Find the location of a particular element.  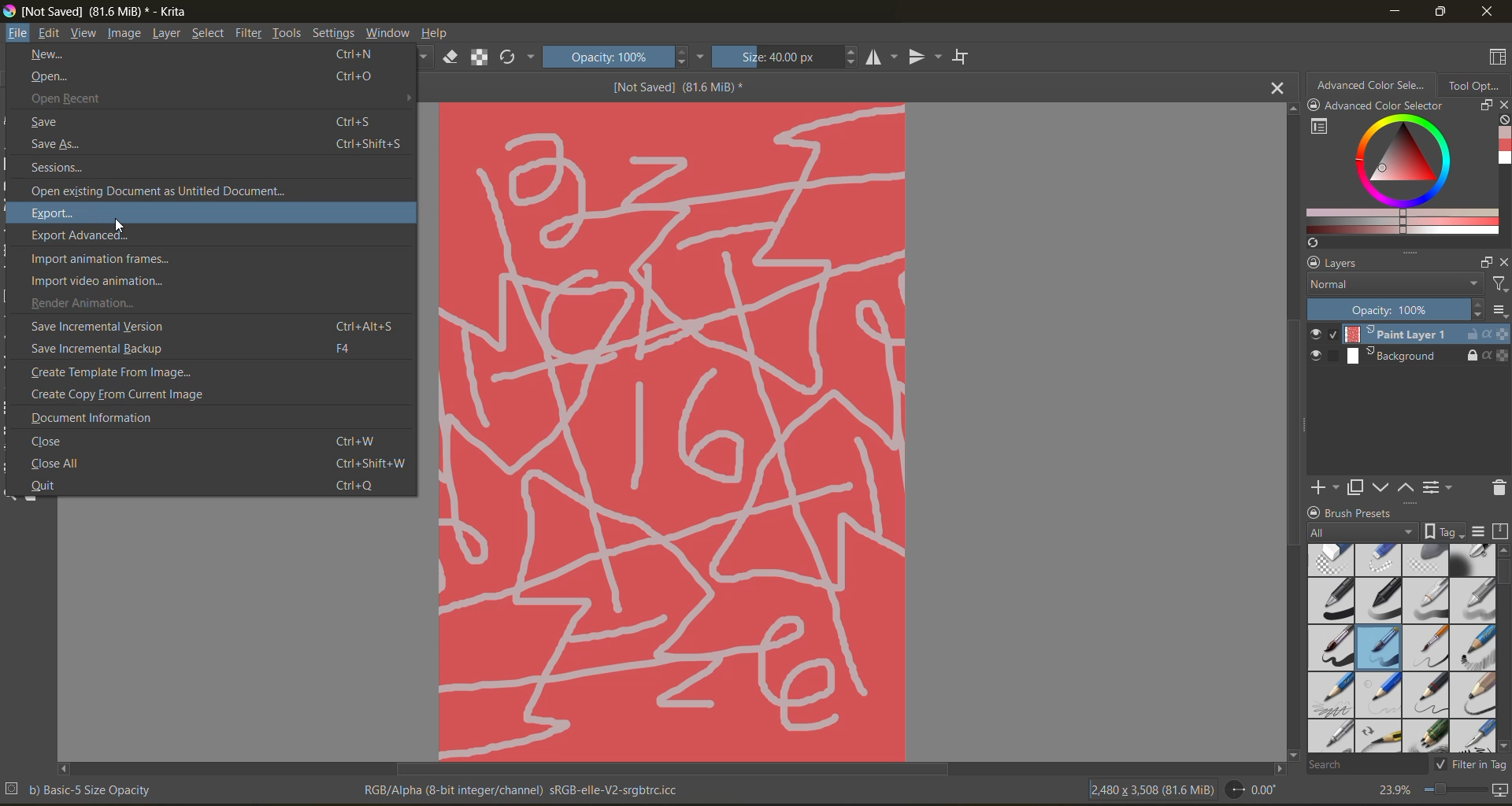

advanced color selector is located at coordinates (1397, 176).